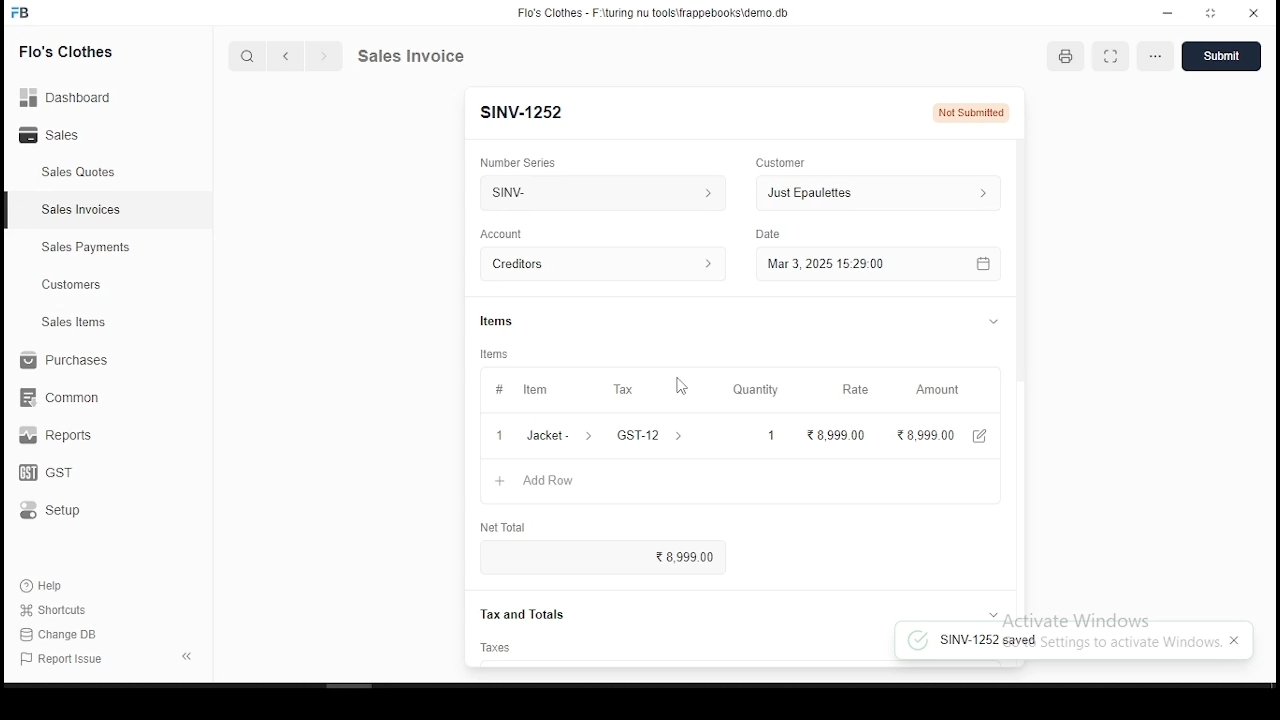 The width and height of the screenshot is (1280, 720). Describe the element at coordinates (769, 231) in the screenshot. I see `type` at that location.